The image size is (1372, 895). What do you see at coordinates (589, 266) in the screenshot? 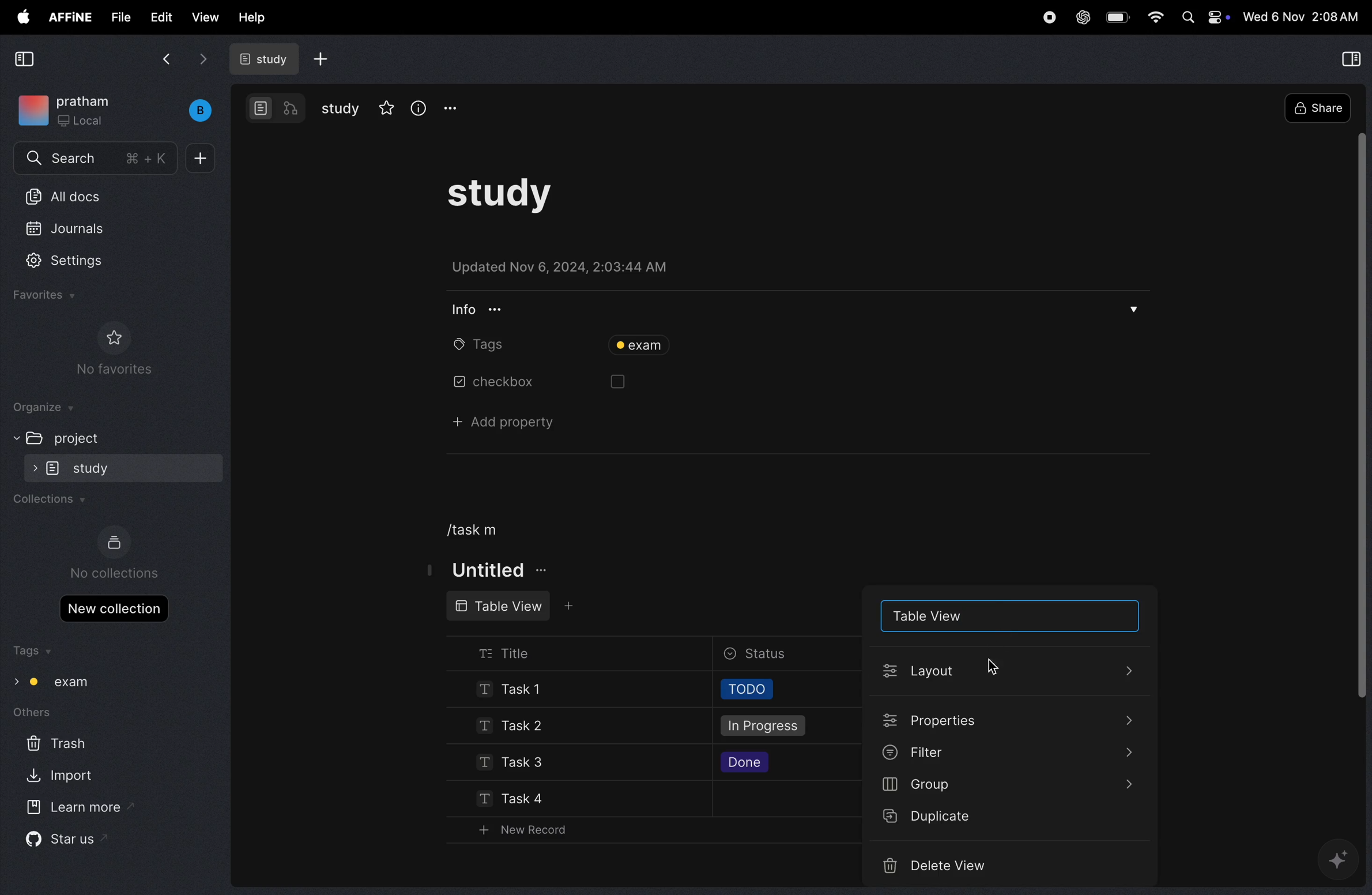
I see `updated on` at bounding box center [589, 266].